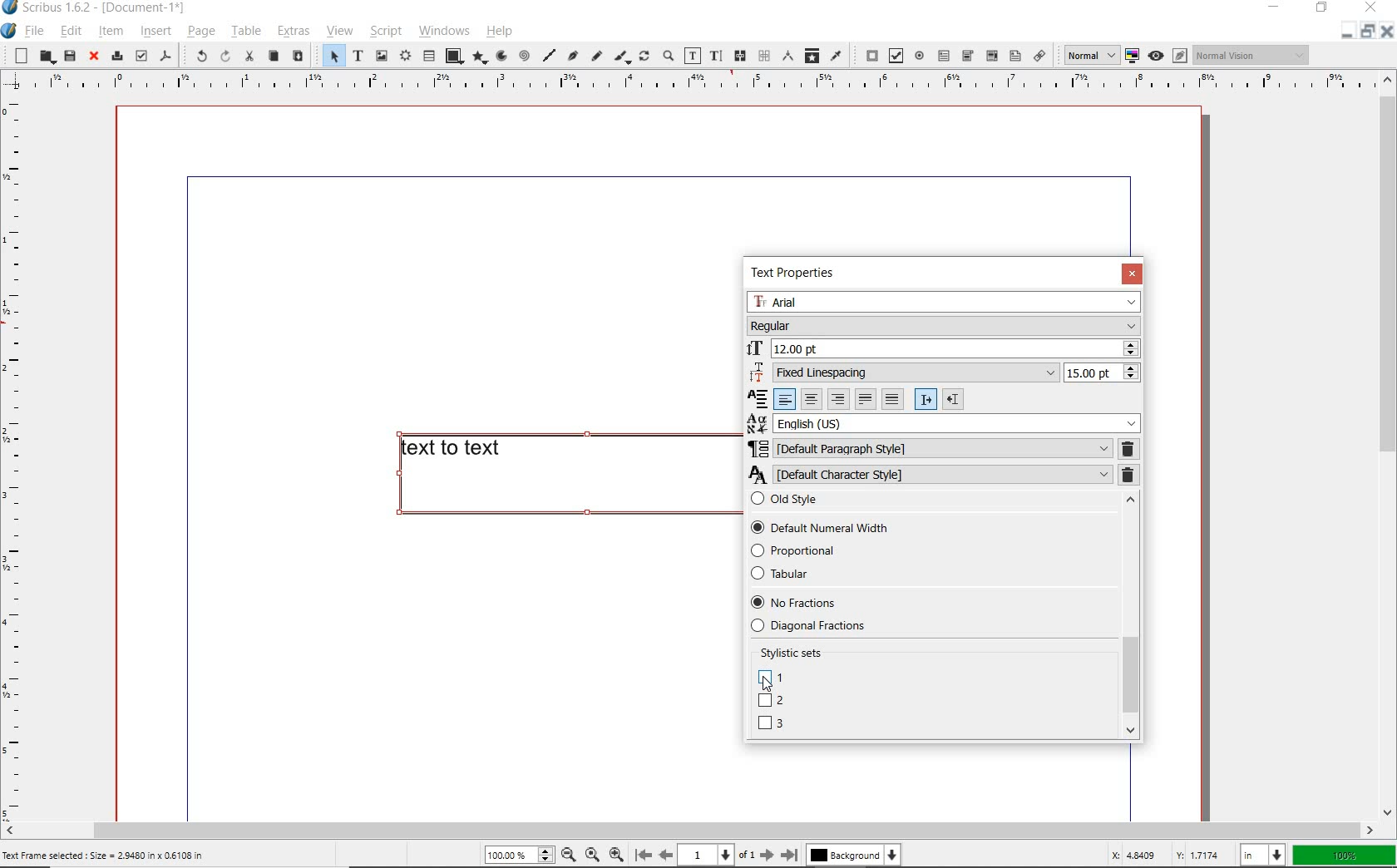  I want to click on unlink text frames, so click(763, 57).